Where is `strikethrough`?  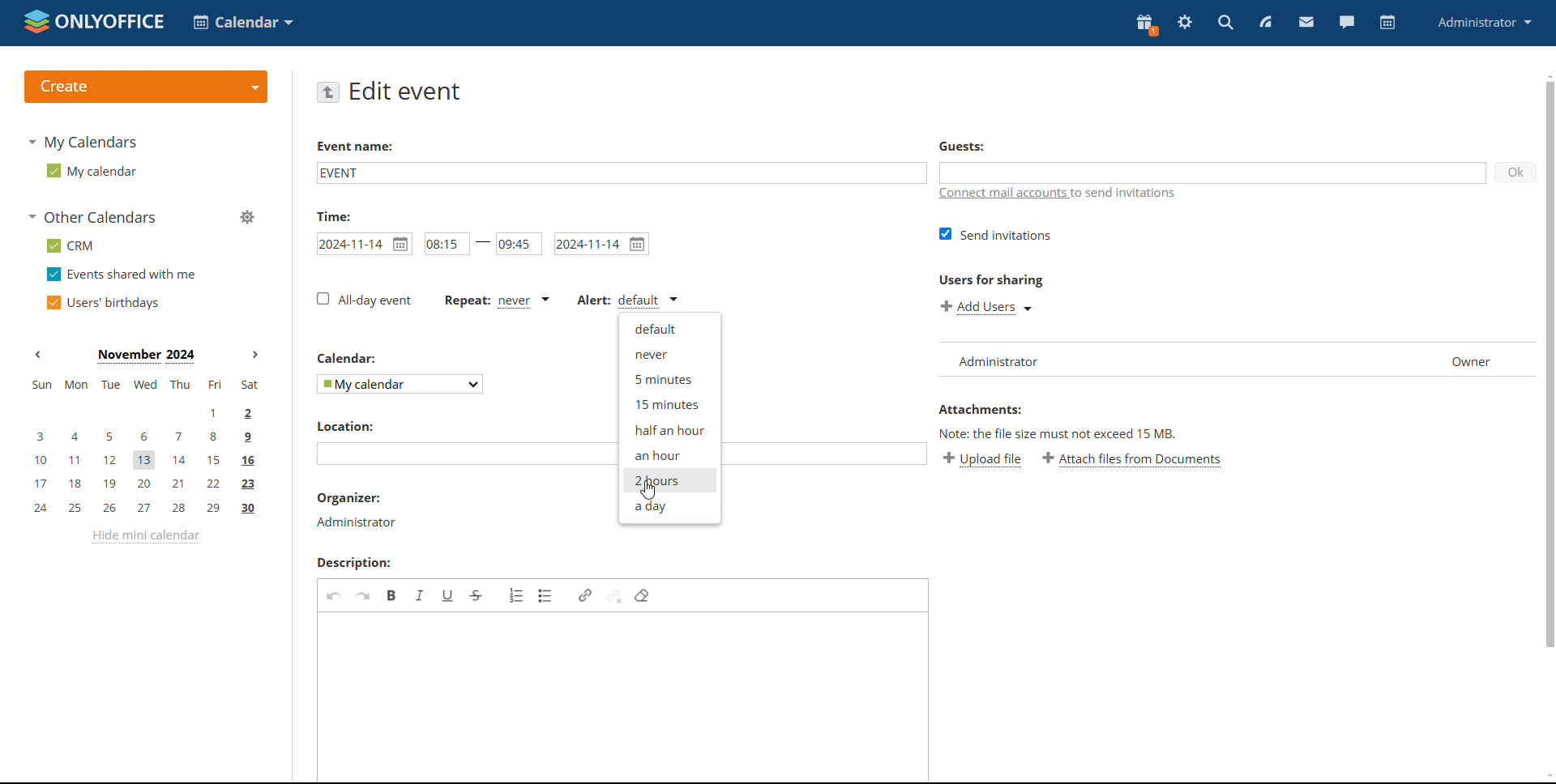
strikethrough is located at coordinates (477, 595).